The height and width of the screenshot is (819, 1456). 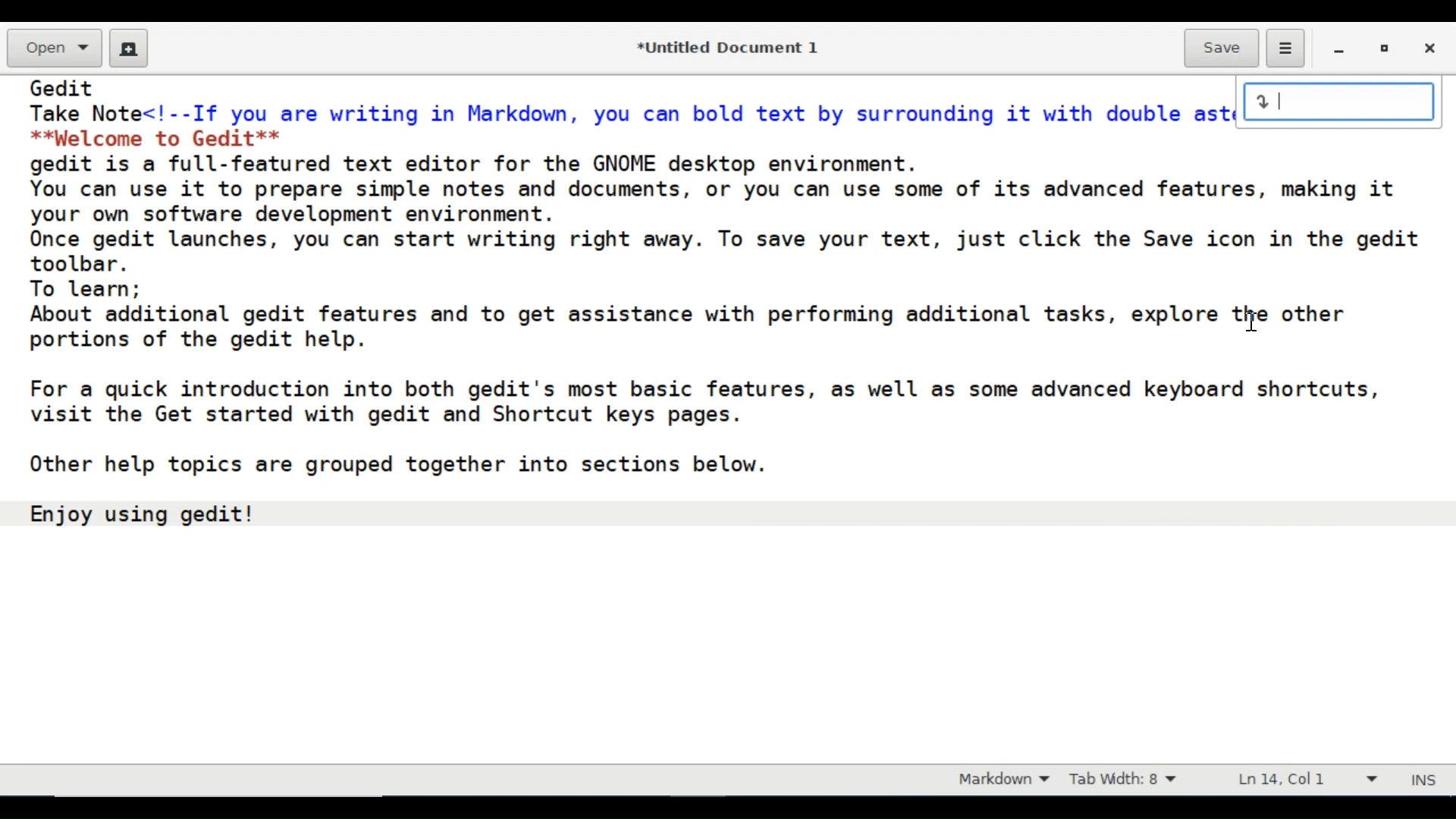 What do you see at coordinates (485, 162) in the screenshot?
I see `gedit is a full-featured text editor for the GNOME desktop environment.` at bounding box center [485, 162].